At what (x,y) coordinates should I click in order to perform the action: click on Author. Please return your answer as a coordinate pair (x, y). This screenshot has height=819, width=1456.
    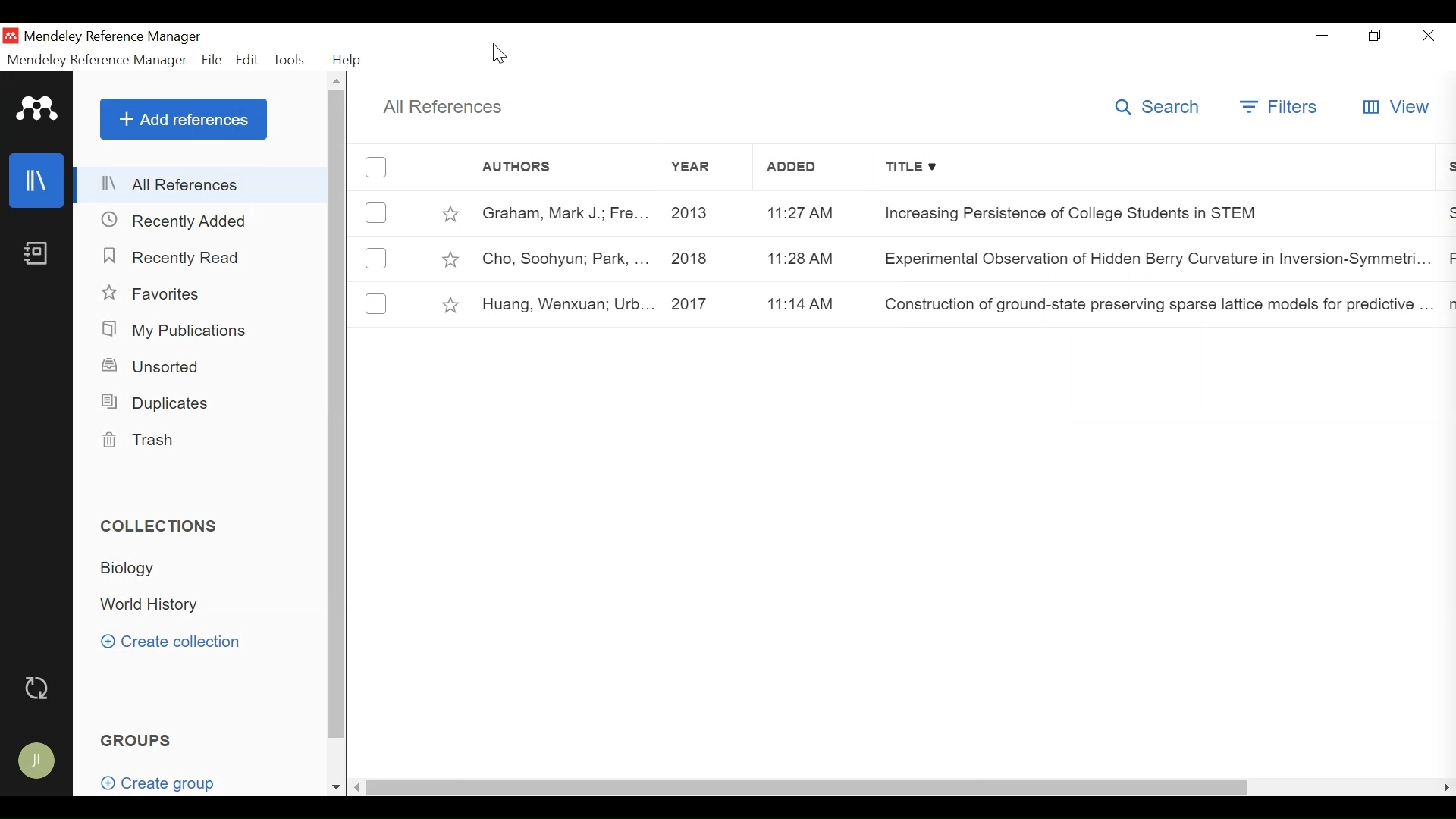
    Looking at the image, I should click on (568, 303).